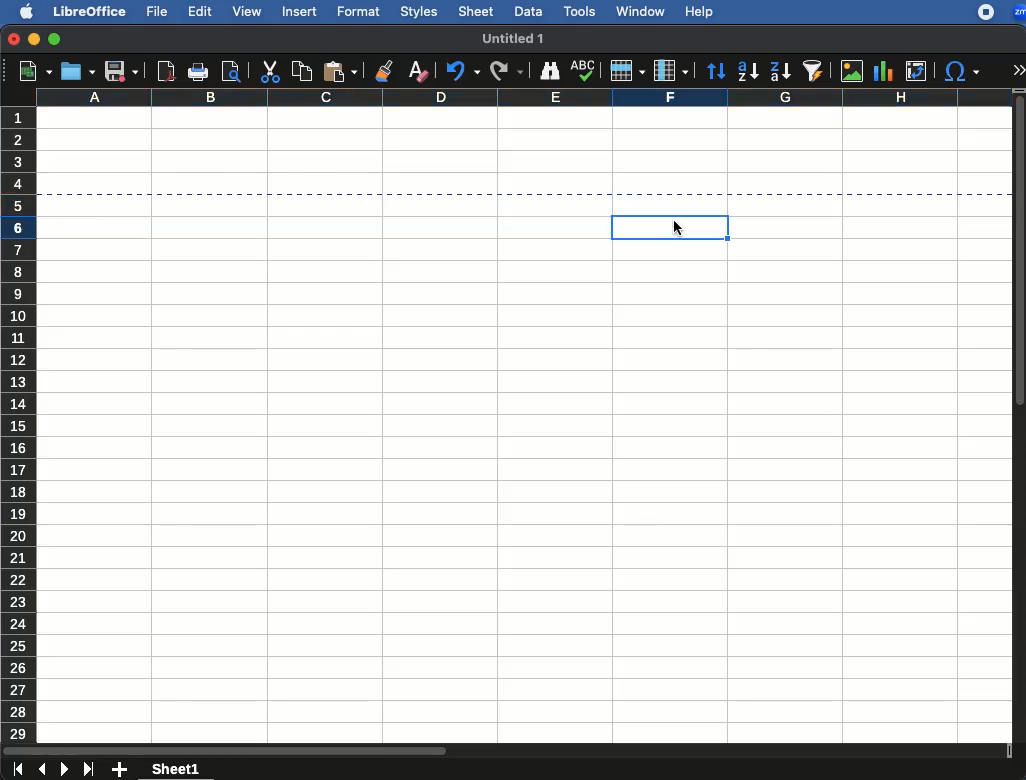 The height and width of the screenshot is (780, 1026). What do you see at coordinates (271, 71) in the screenshot?
I see `cut` at bounding box center [271, 71].